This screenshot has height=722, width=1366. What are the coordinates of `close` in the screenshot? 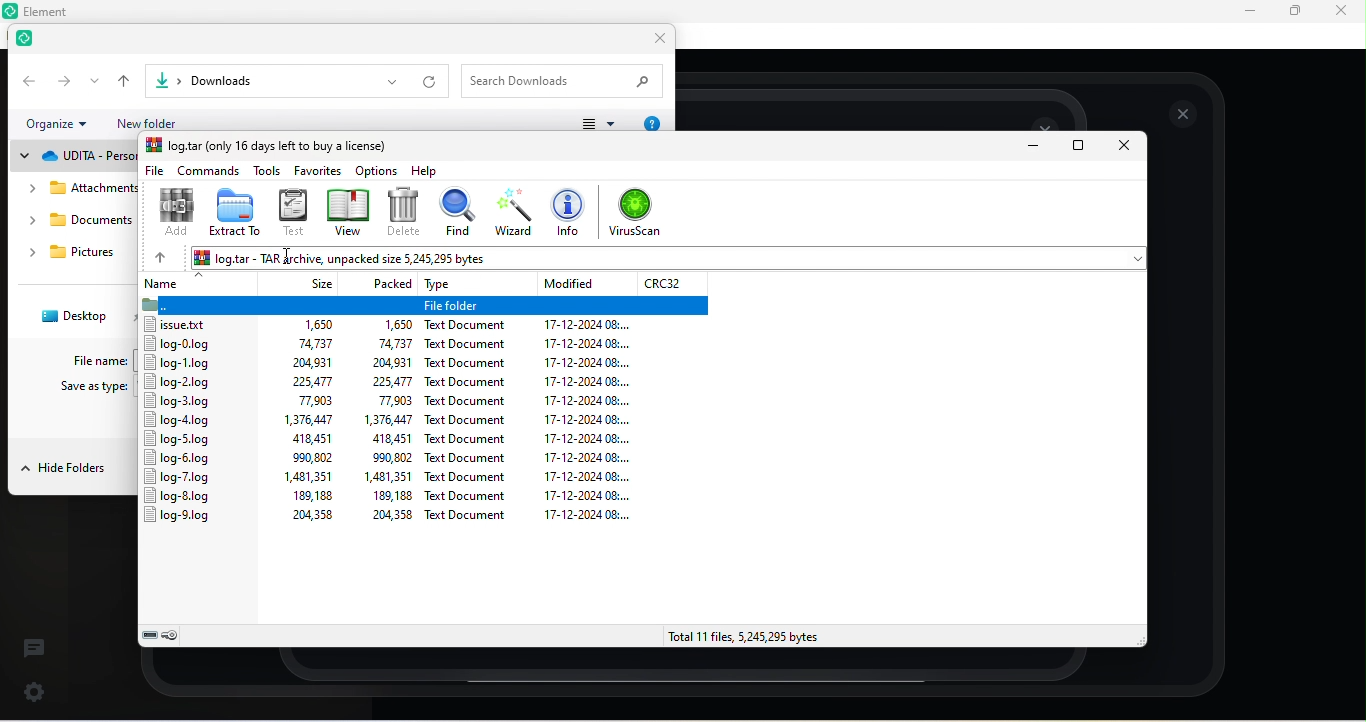 It's located at (1340, 10).